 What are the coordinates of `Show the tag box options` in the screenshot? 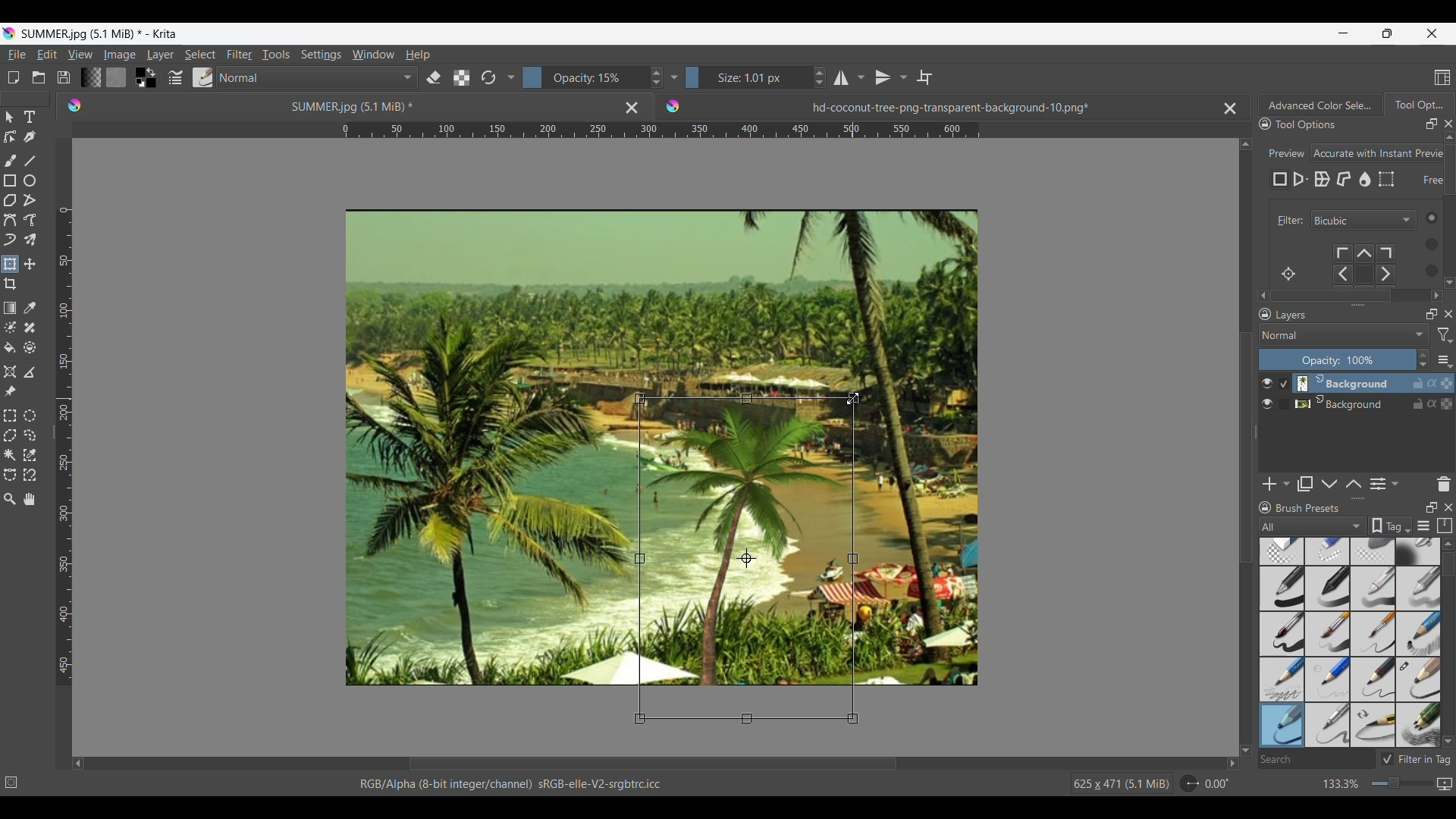 It's located at (1391, 526).